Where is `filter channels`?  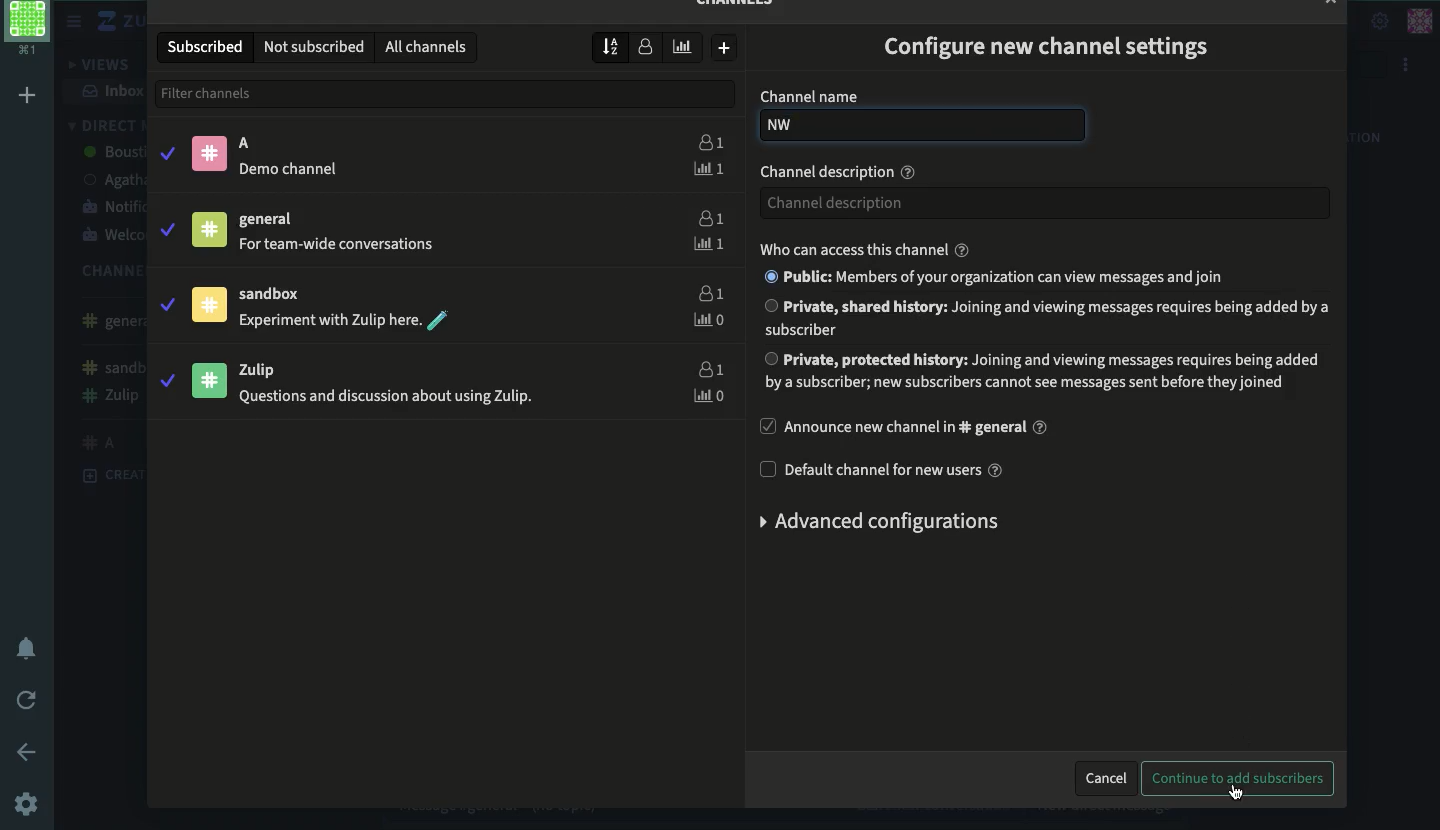
filter channels is located at coordinates (444, 94).